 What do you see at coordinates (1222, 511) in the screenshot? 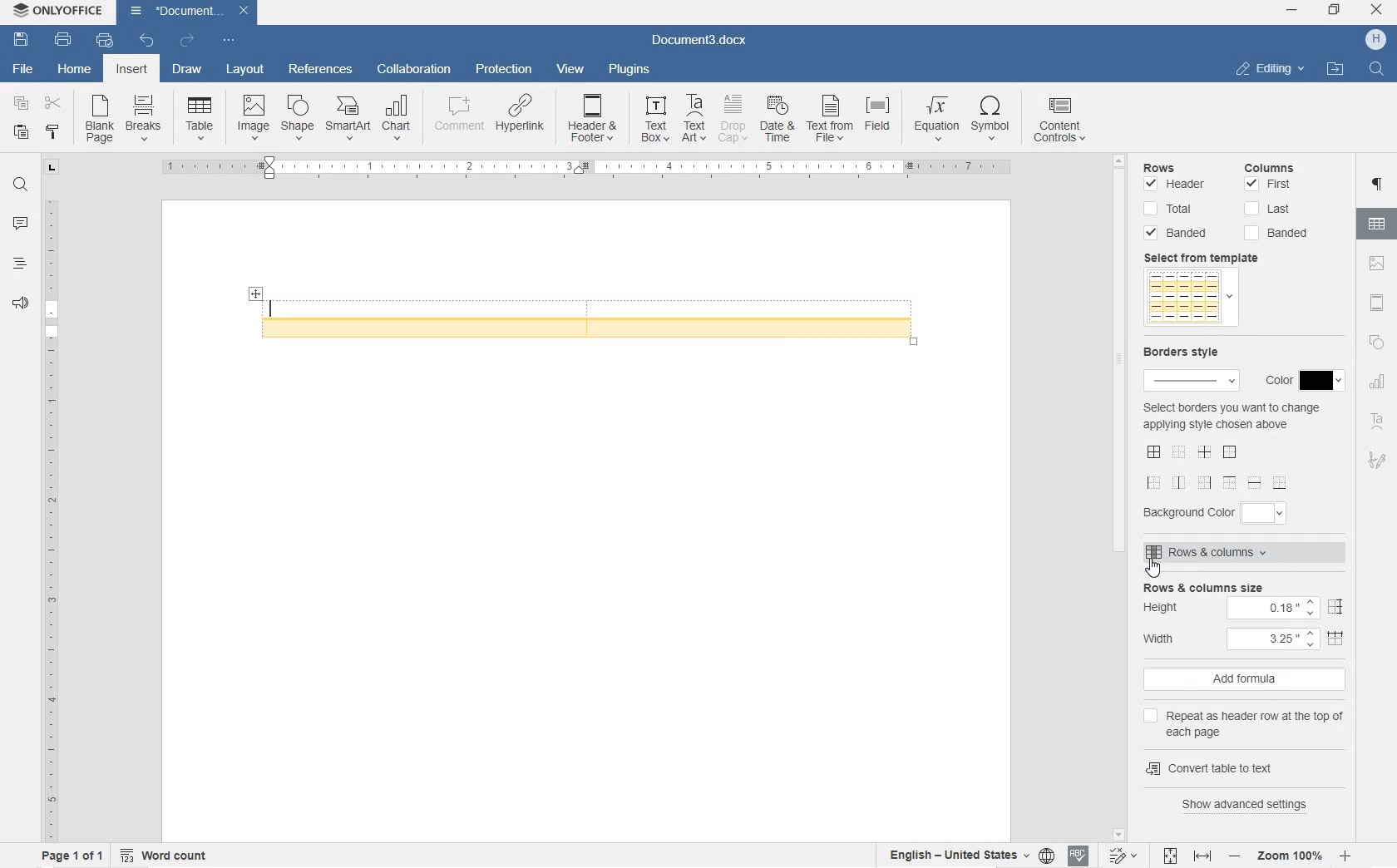
I see `background color` at bounding box center [1222, 511].